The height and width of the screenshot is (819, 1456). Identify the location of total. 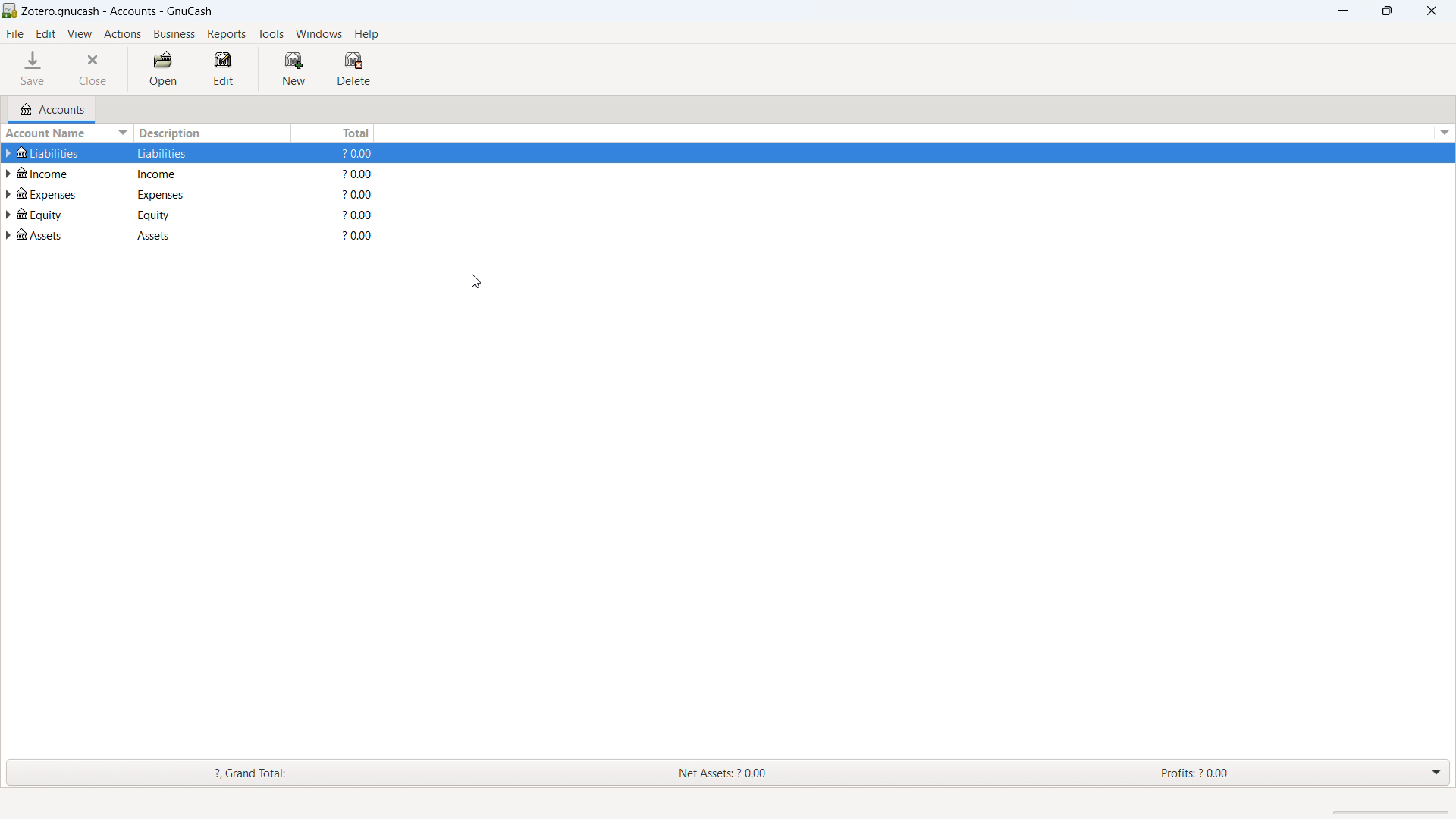
(335, 132).